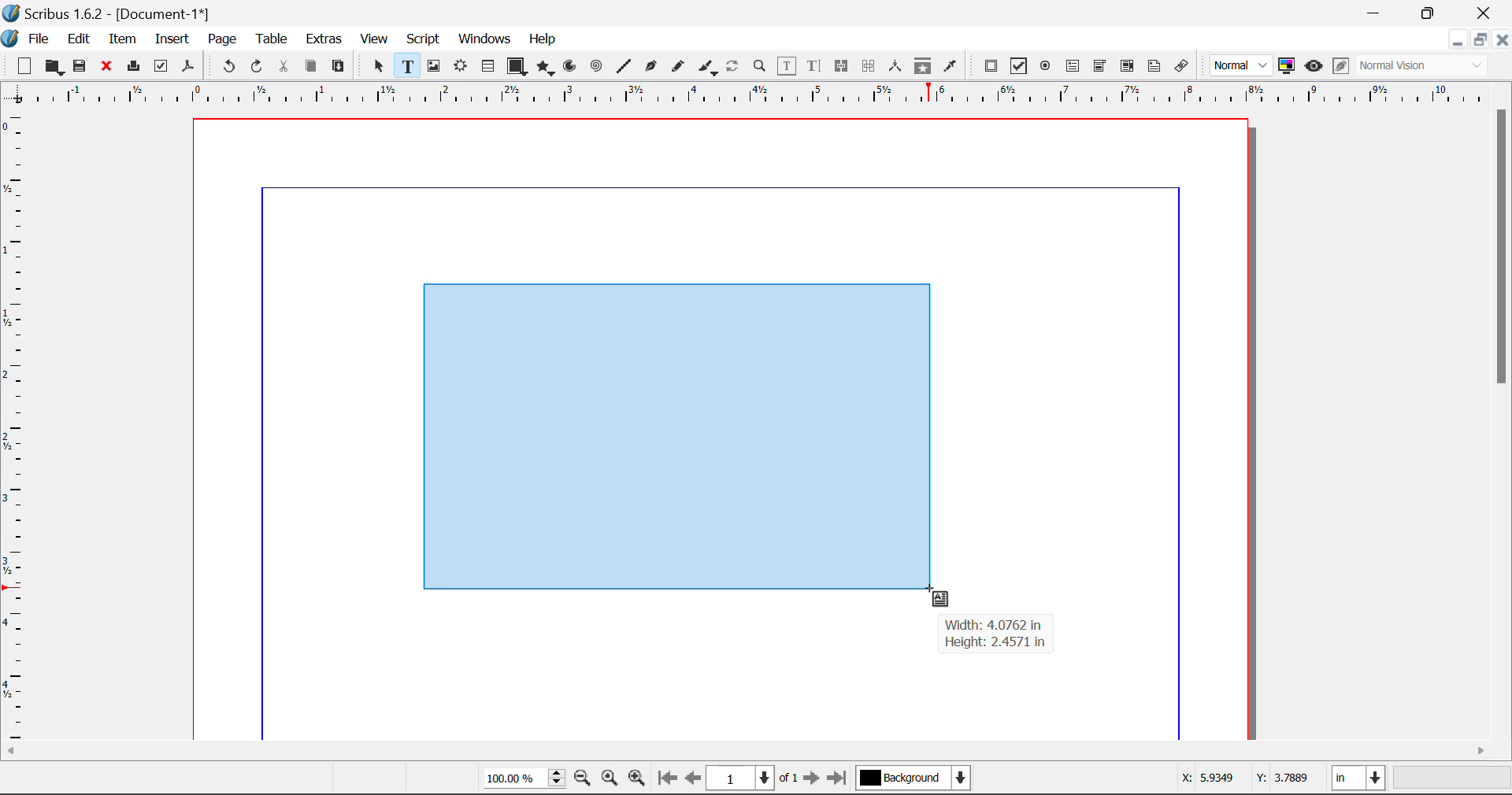  What do you see at coordinates (667, 780) in the screenshot?
I see `First Page` at bounding box center [667, 780].